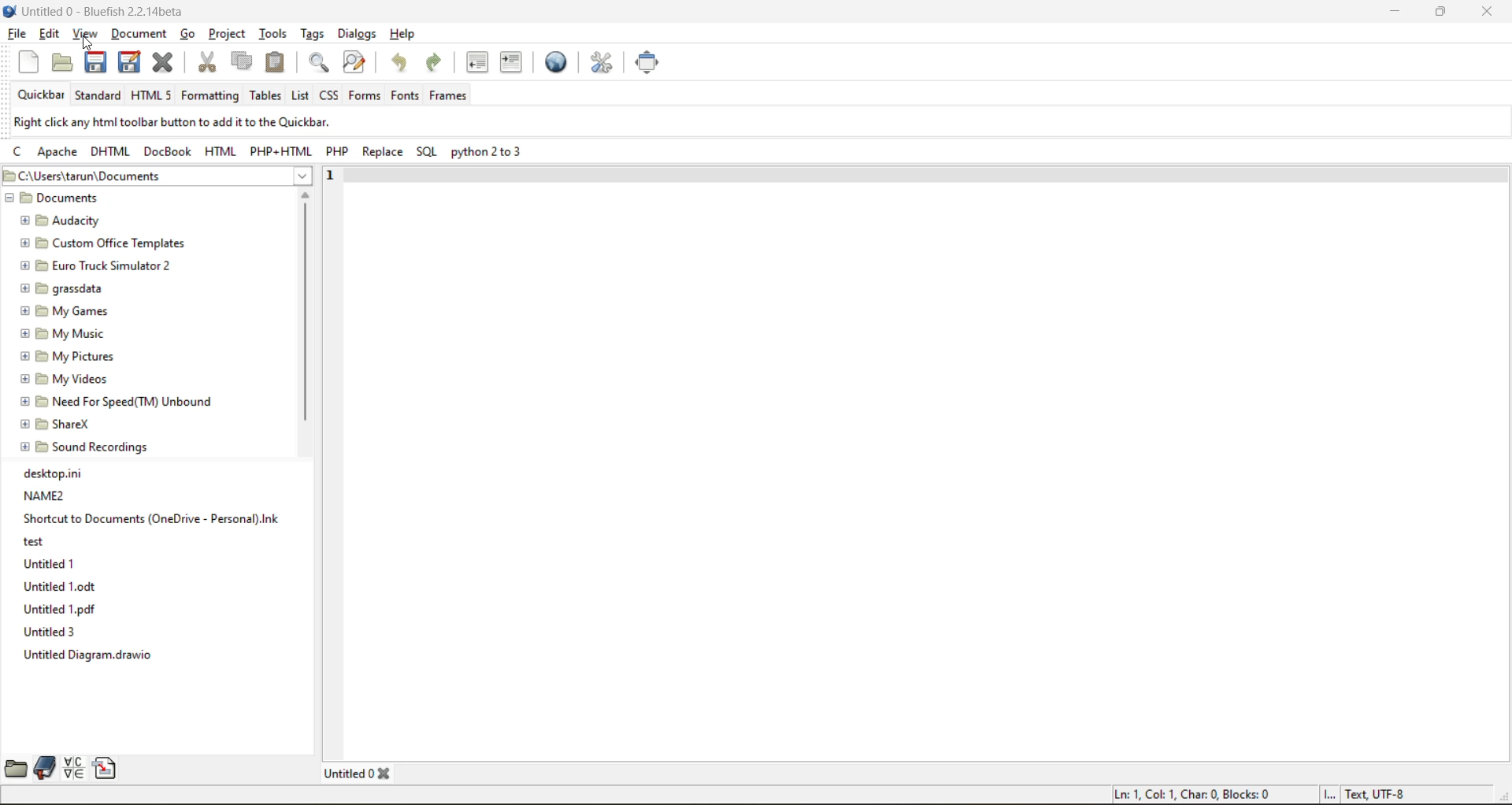 The height and width of the screenshot is (805, 1512). I want to click on charmap, so click(79, 768).